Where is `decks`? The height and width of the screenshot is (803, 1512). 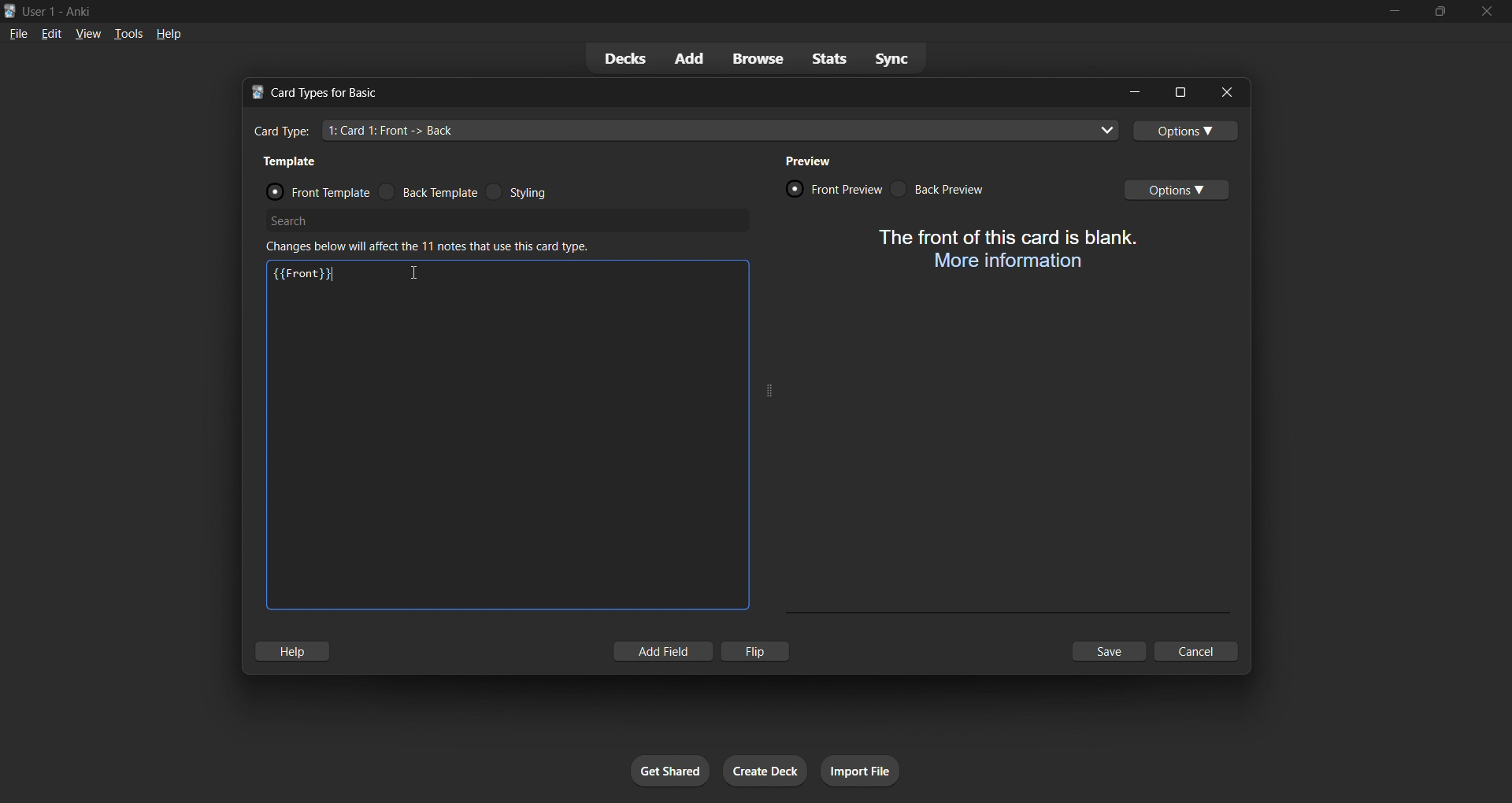 decks is located at coordinates (625, 60).